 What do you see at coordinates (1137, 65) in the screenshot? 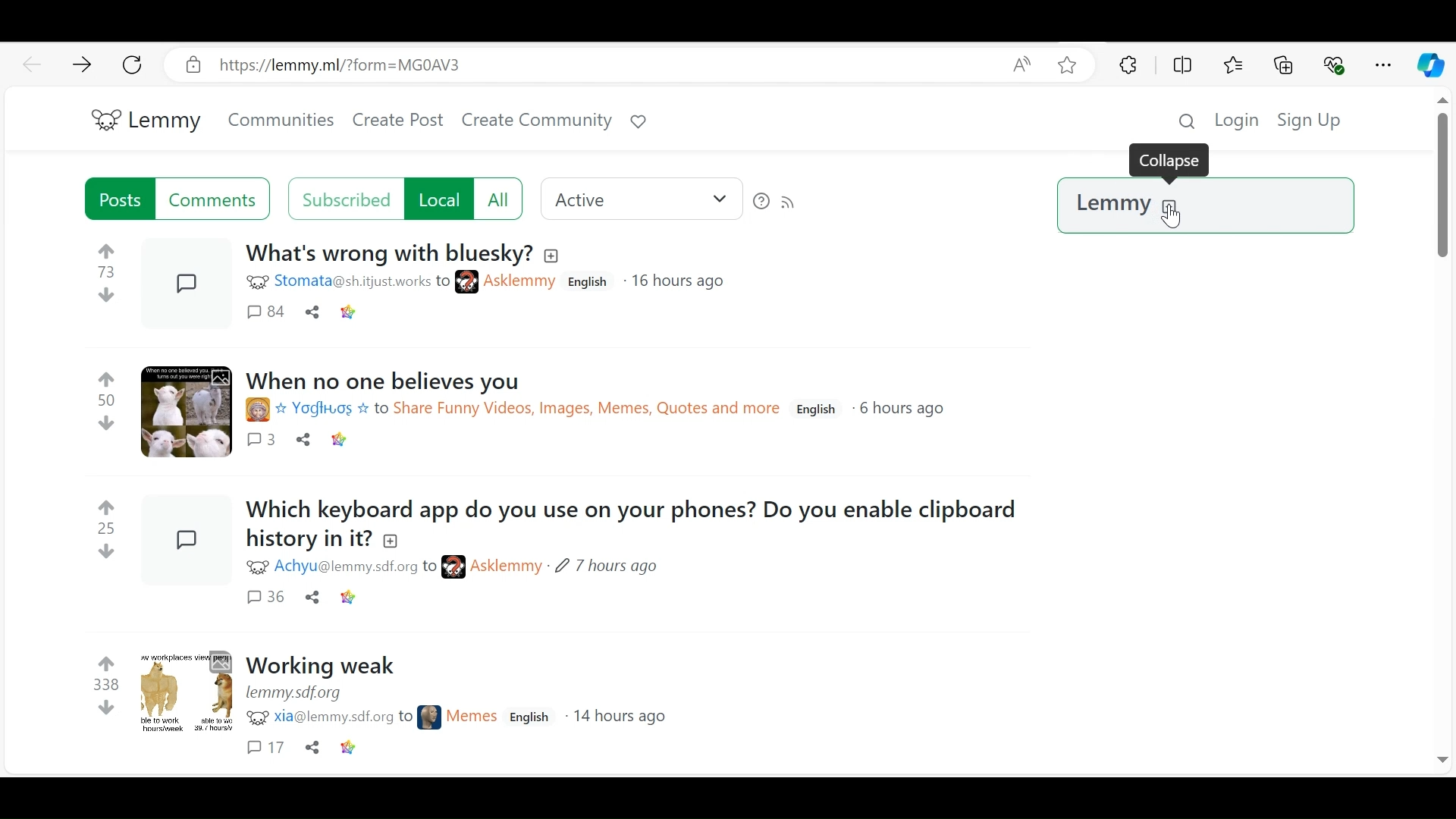
I see `Extensions` at bounding box center [1137, 65].